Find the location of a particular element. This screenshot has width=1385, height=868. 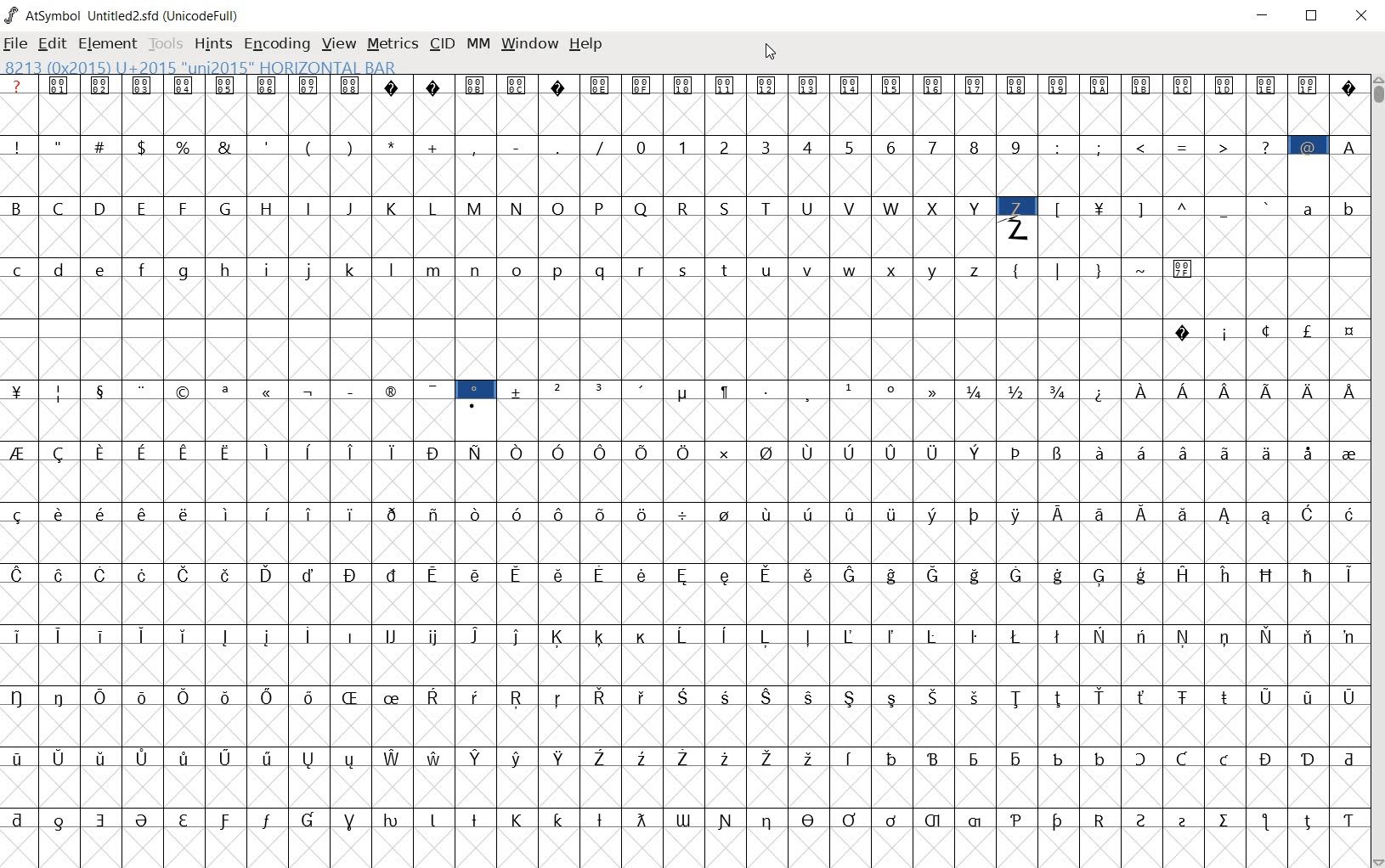

MM is located at coordinates (479, 45).